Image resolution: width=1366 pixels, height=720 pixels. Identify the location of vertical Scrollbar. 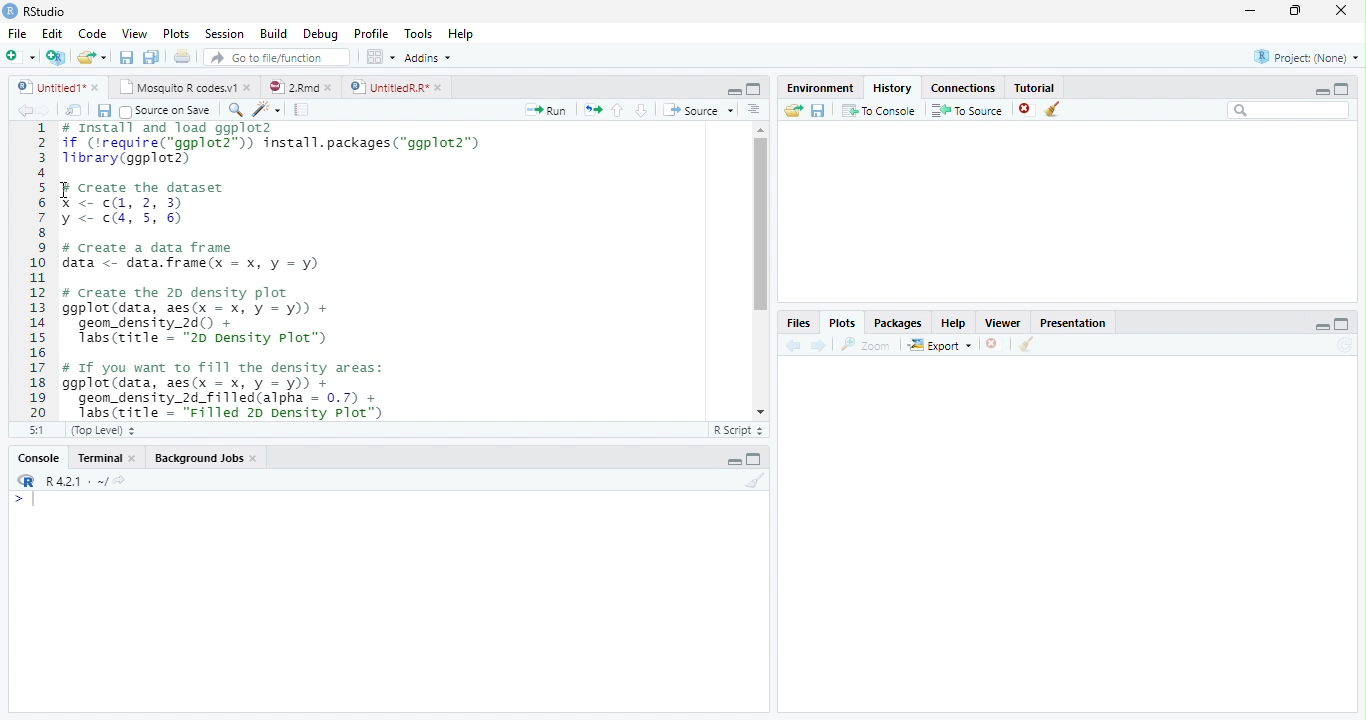
(758, 225).